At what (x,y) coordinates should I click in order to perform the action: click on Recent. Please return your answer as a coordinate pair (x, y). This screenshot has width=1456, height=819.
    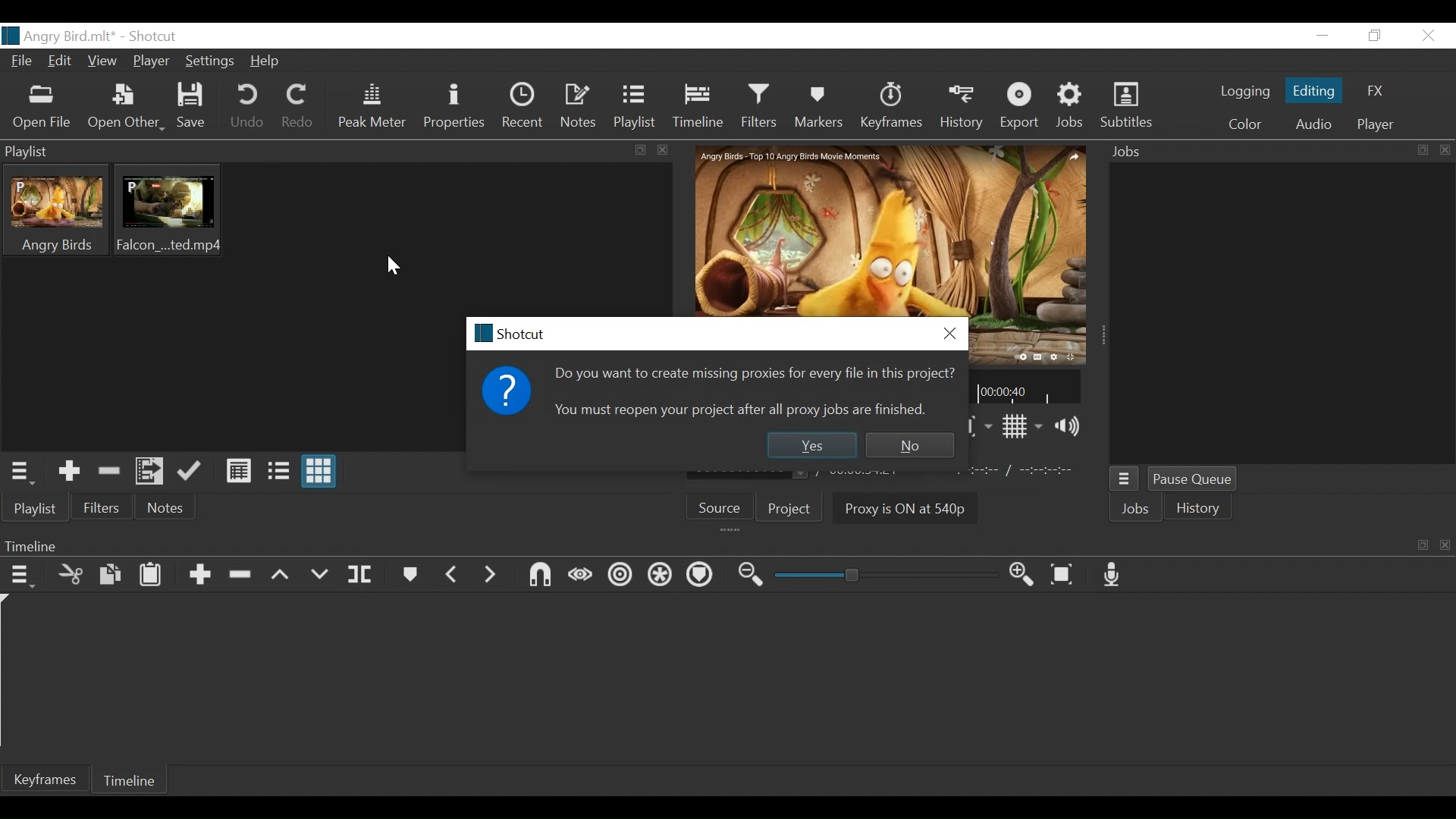
    Looking at the image, I should click on (525, 106).